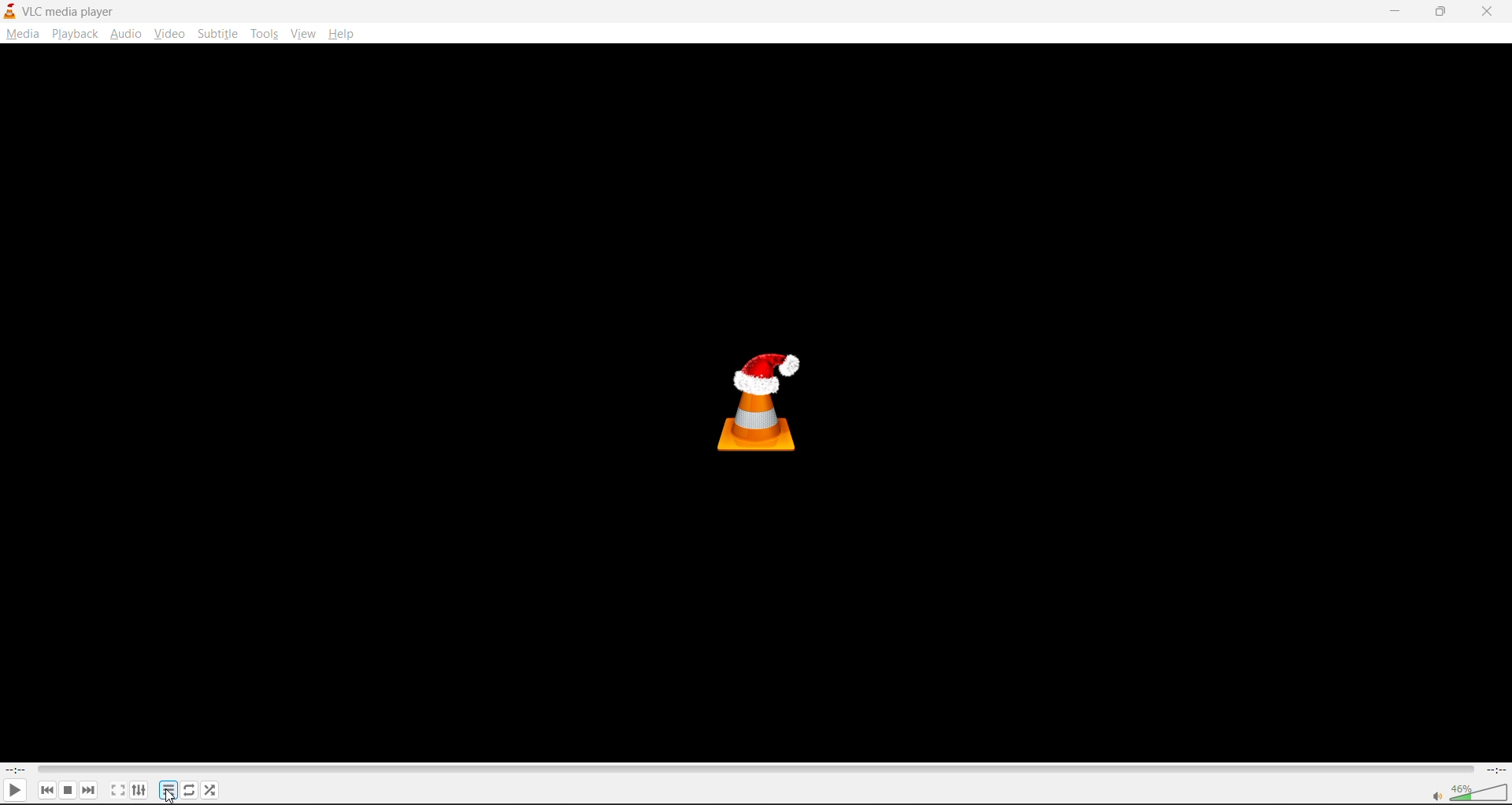 Image resolution: width=1512 pixels, height=805 pixels. I want to click on thumbnail, so click(754, 406).